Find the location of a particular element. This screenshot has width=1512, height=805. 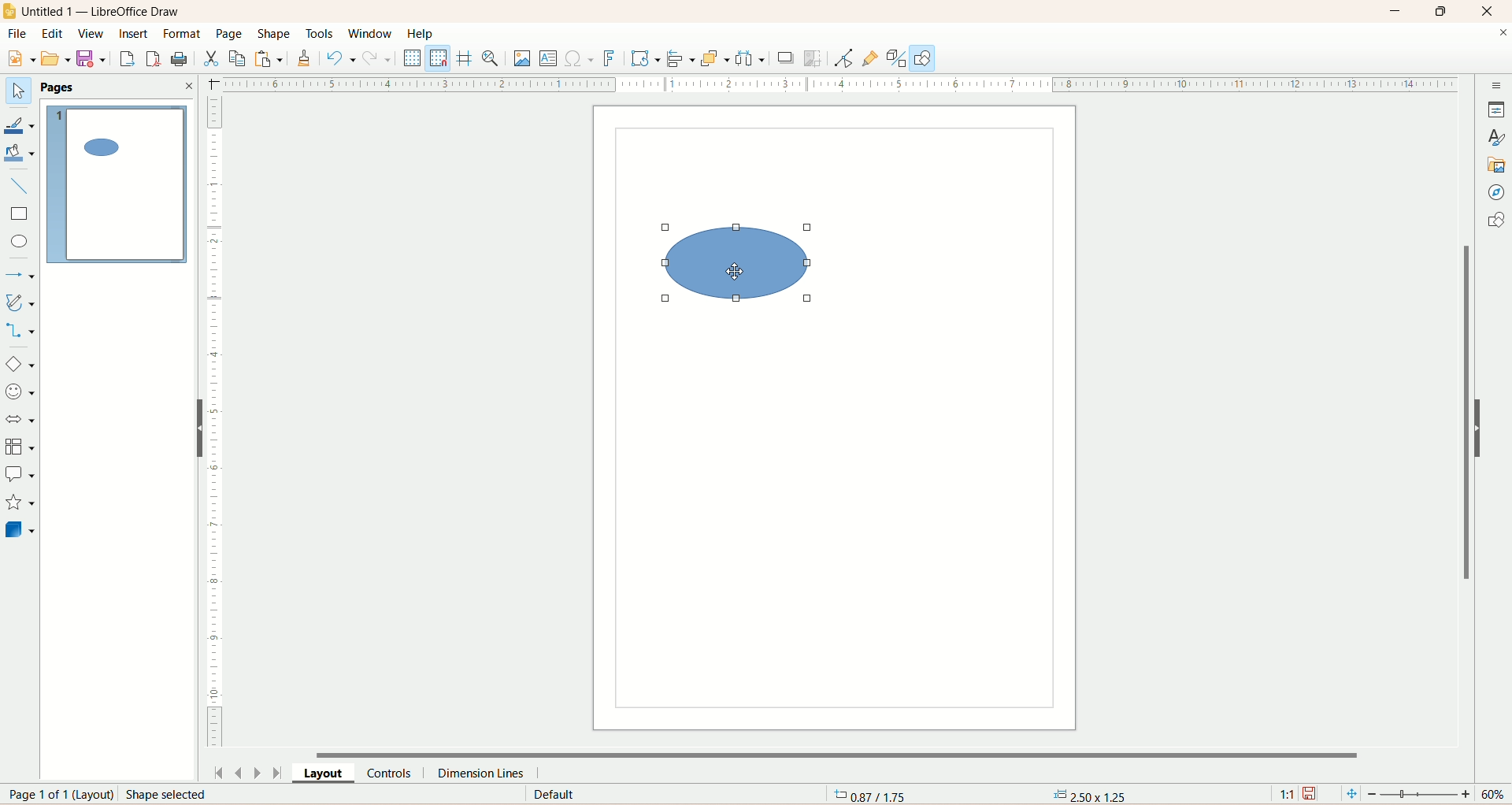

export directly as PDF is located at coordinates (154, 58).